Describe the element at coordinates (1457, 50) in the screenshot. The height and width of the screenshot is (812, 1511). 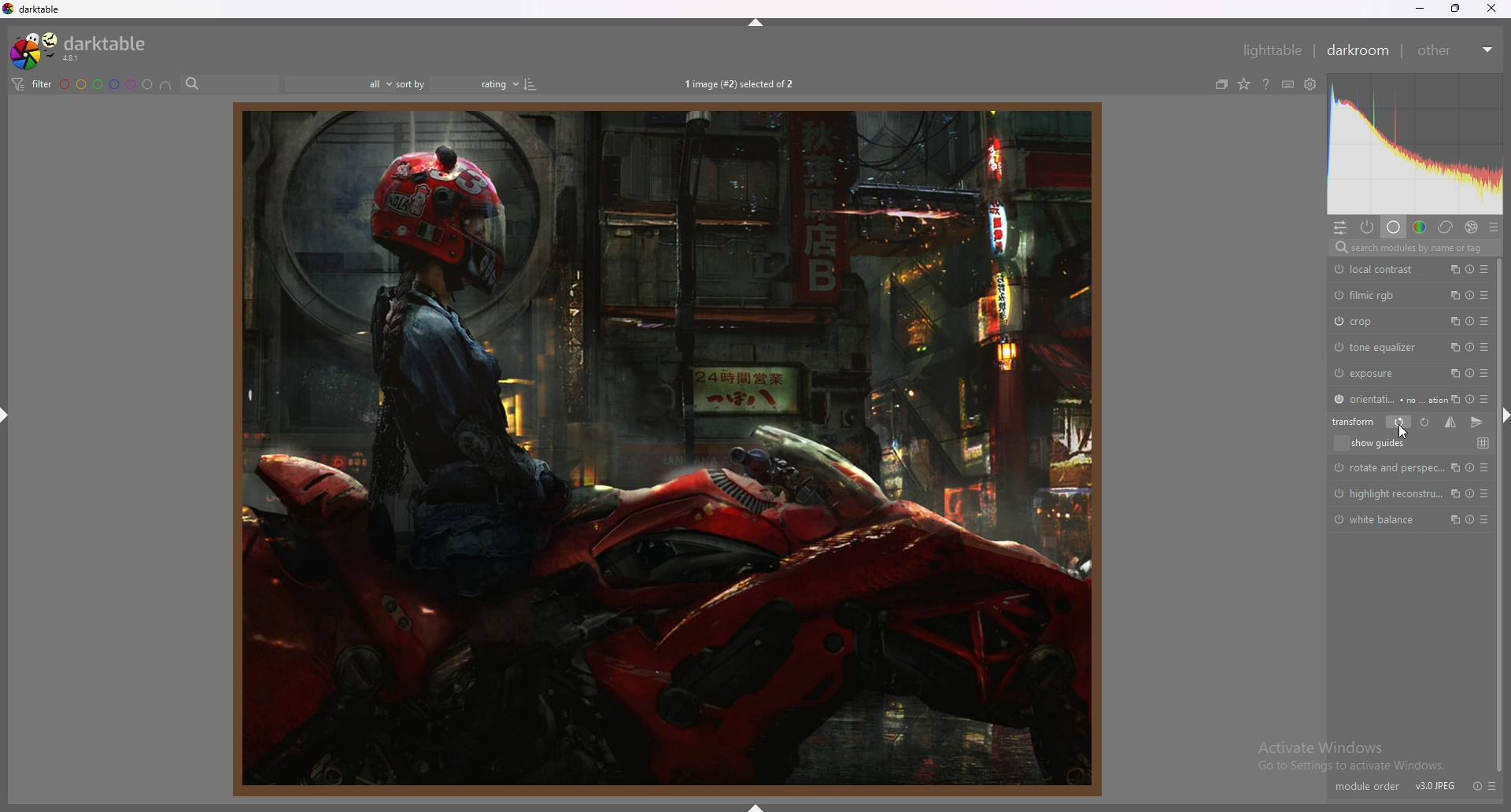
I see `other` at that location.